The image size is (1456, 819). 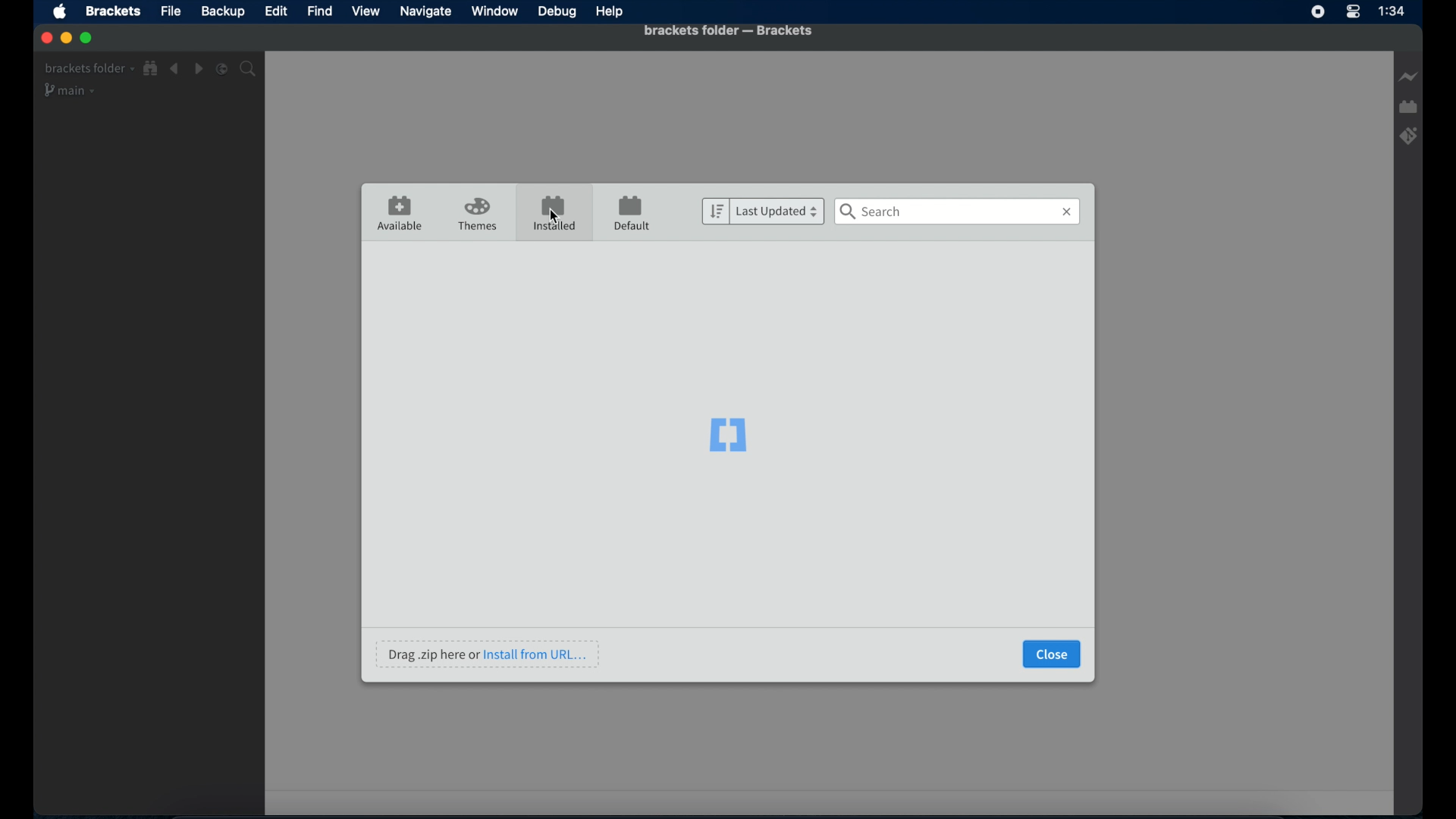 What do you see at coordinates (45, 38) in the screenshot?
I see `Close` at bounding box center [45, 38].